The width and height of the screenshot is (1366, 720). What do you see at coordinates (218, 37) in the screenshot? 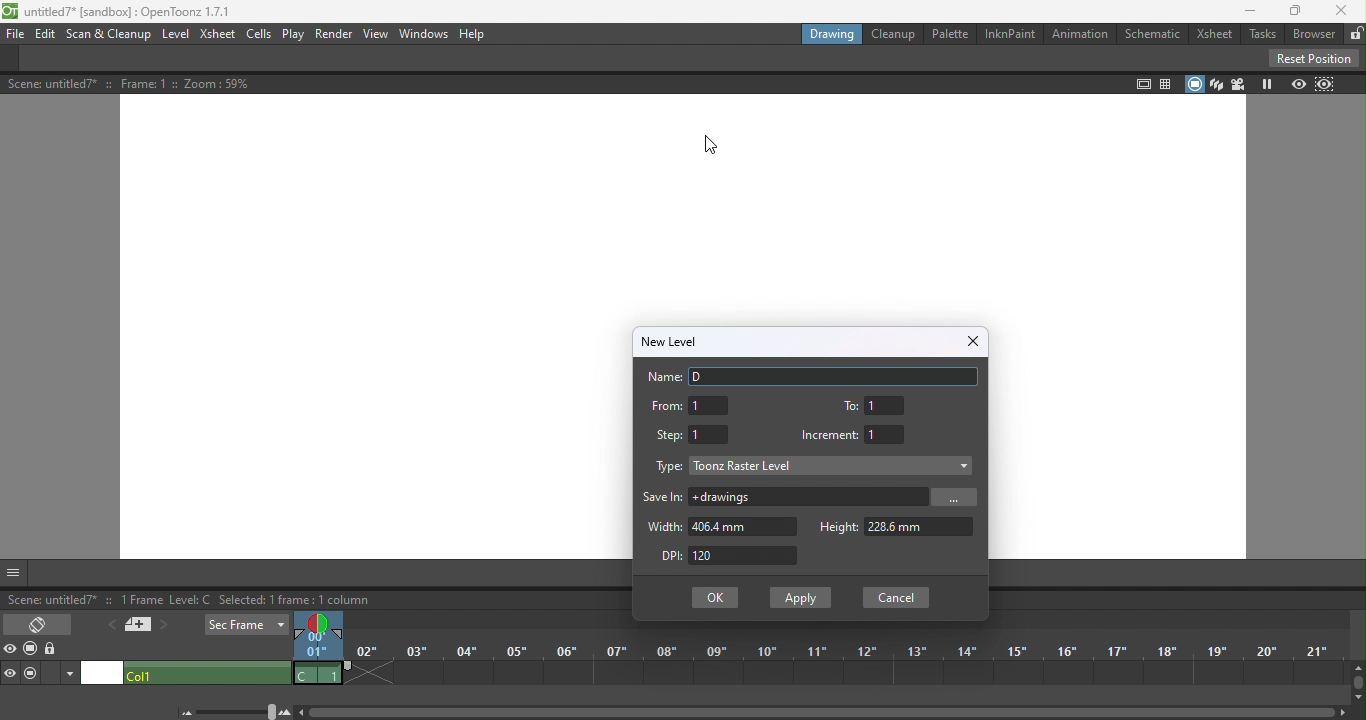
I see `Xsheet` at bounding box center [218, 37].